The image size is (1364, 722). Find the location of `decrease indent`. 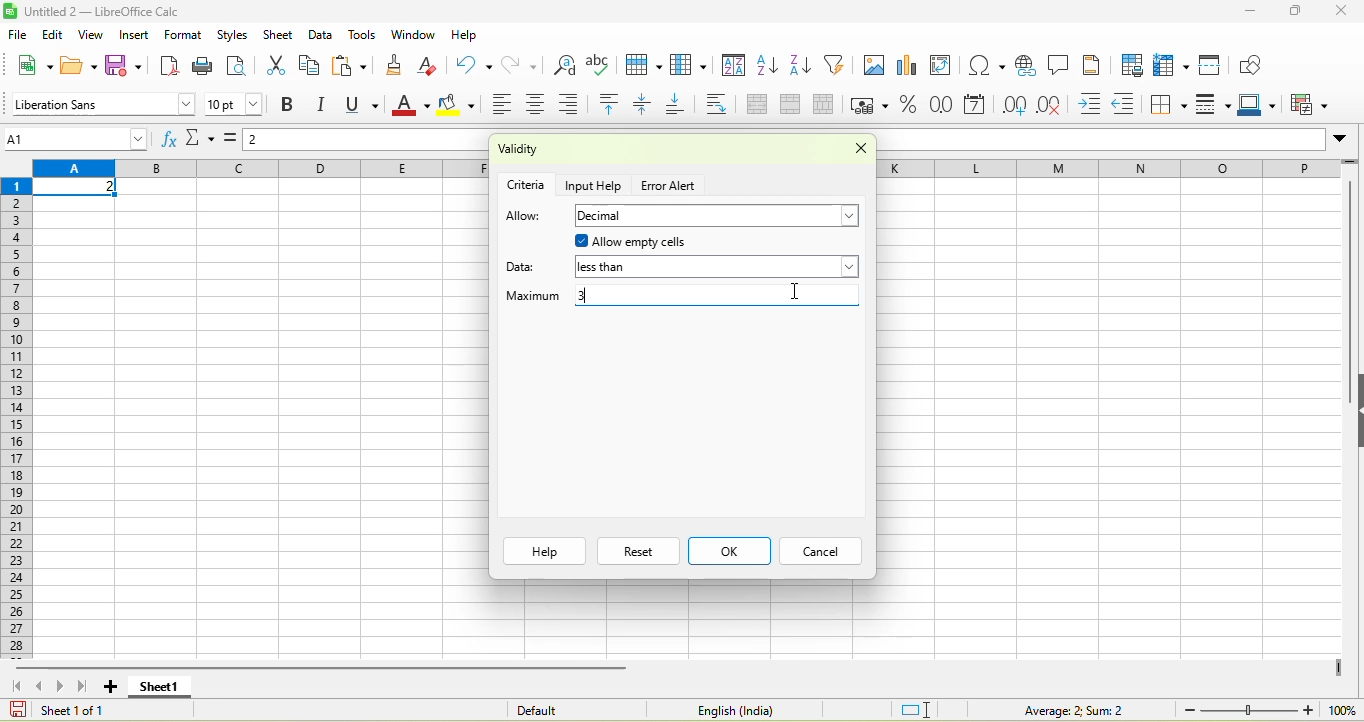

decrease indent is located at coordinates (1129, 106).